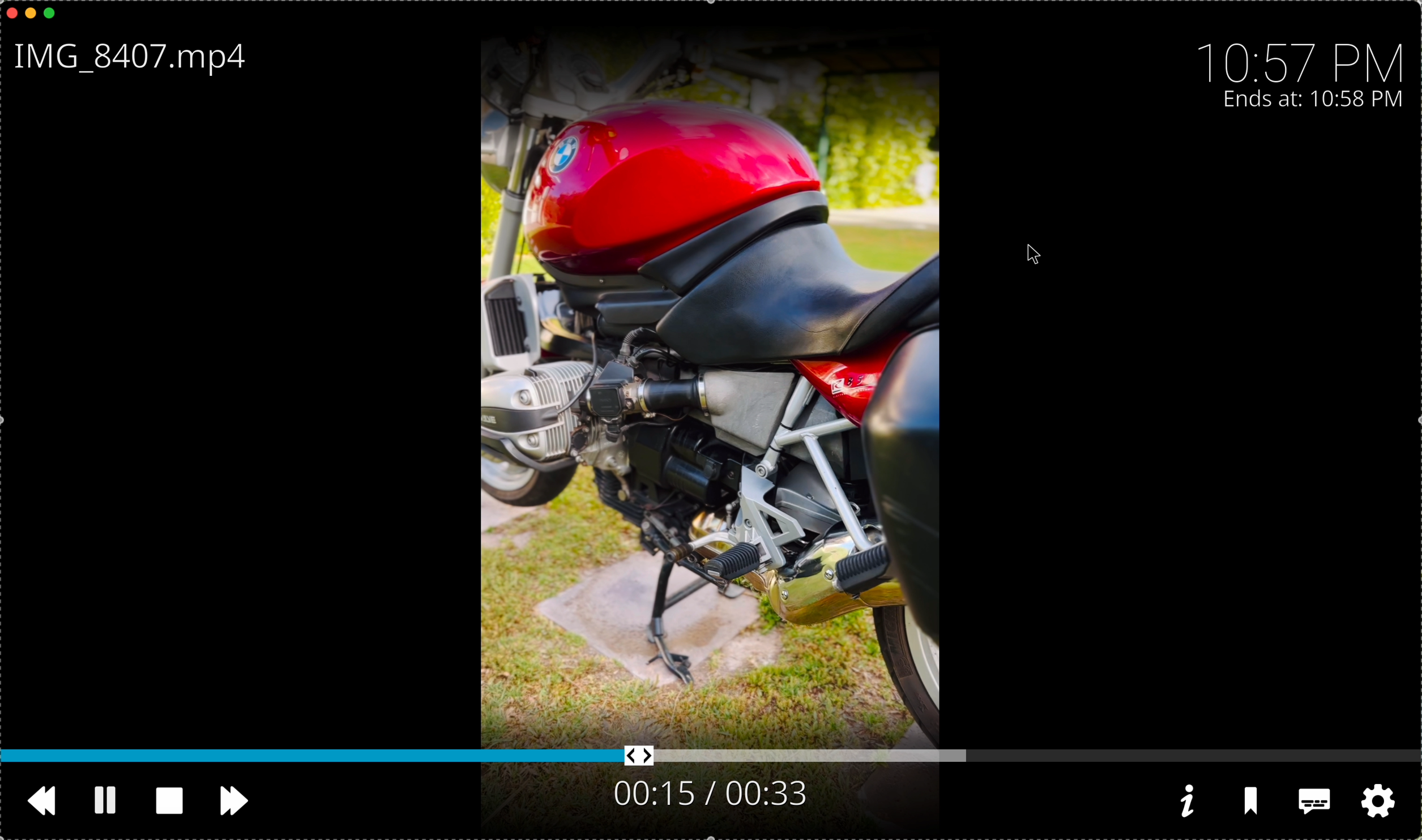  What do you see at coordinates (706, 374) in the screenshot?
I see `video play` at bounding box center [706, 374].